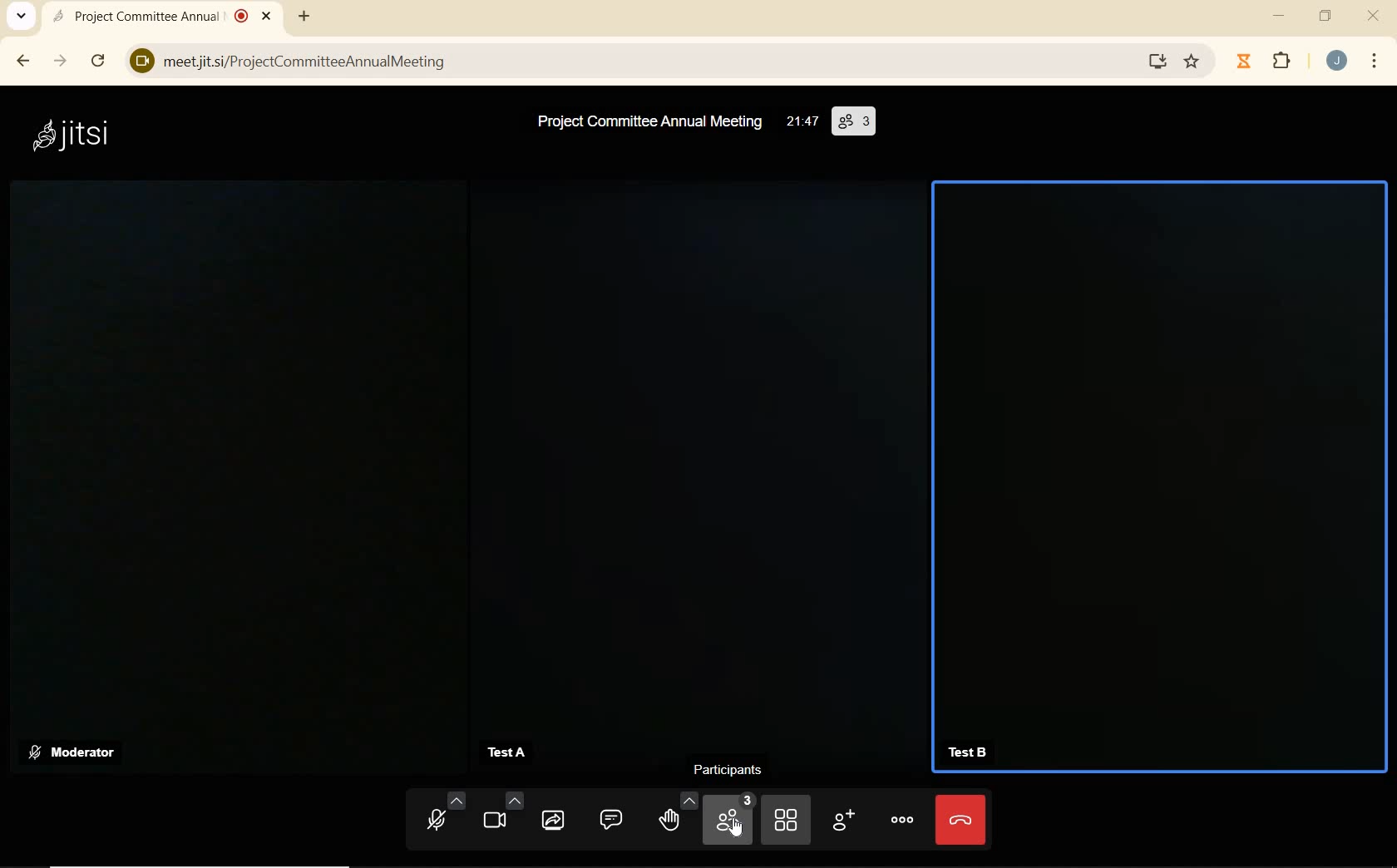  Describe the element at coordinates (733, 769) in the screenshot. I see `PARTICIPANTS` at that location.